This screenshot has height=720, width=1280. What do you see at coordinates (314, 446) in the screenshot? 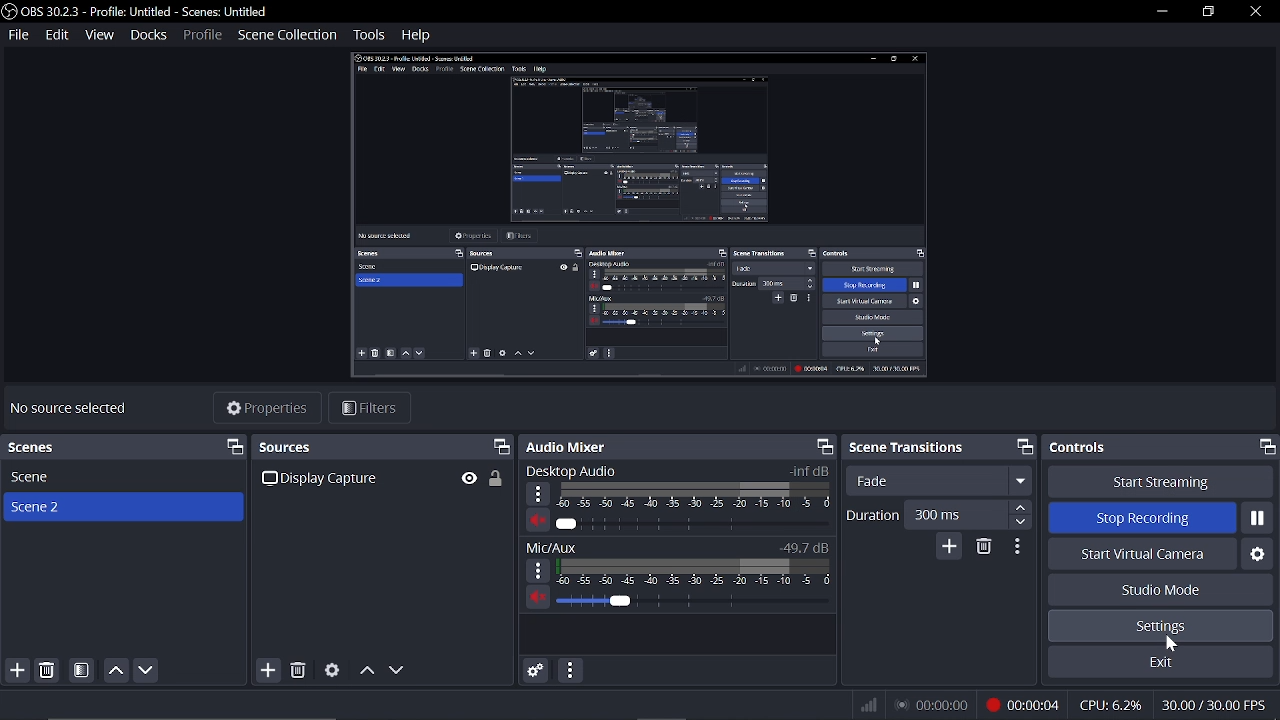
I see `sources` at bounding box center [314, 446].